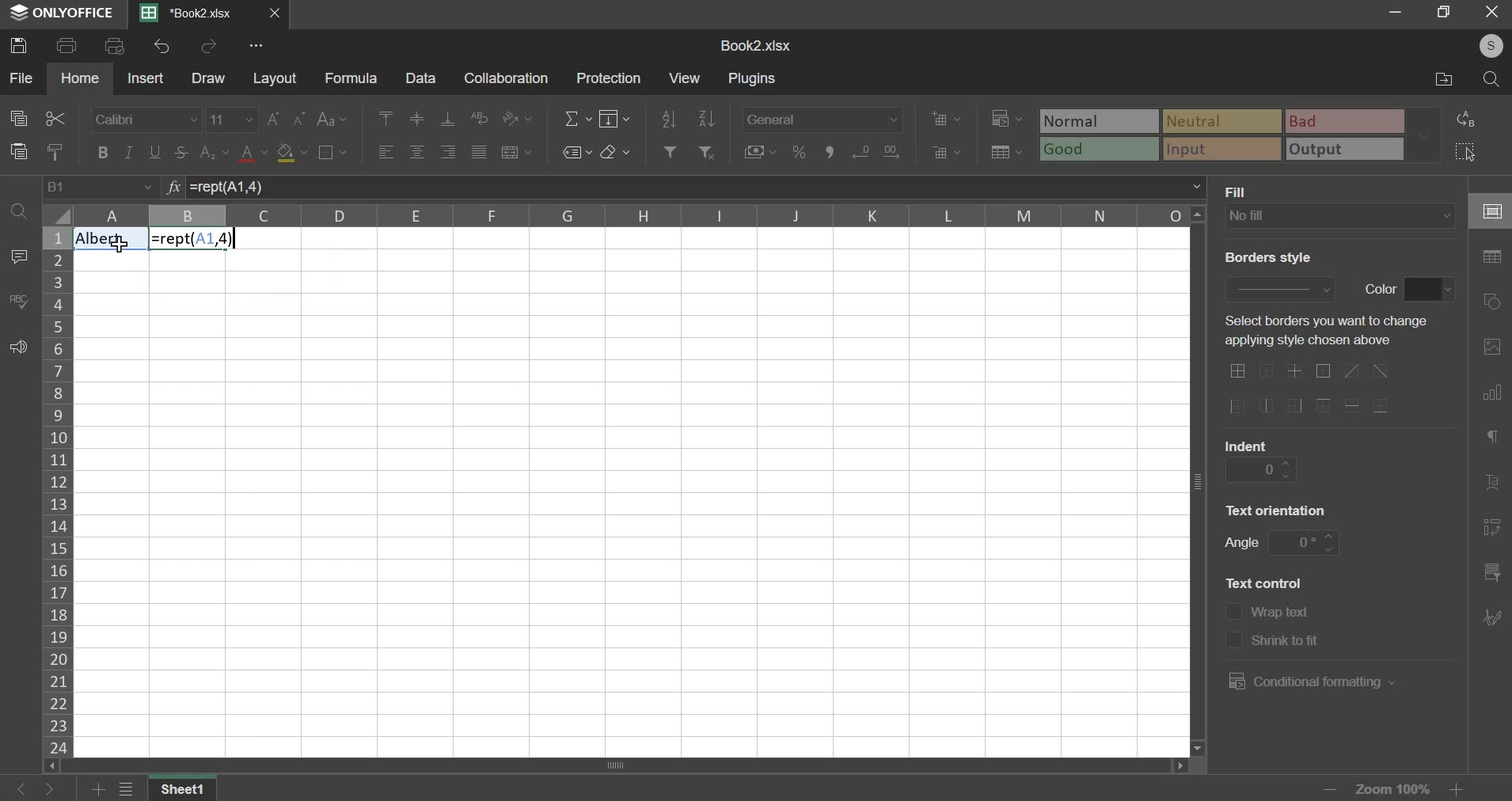  I want to click on text, so click(1271, 586).